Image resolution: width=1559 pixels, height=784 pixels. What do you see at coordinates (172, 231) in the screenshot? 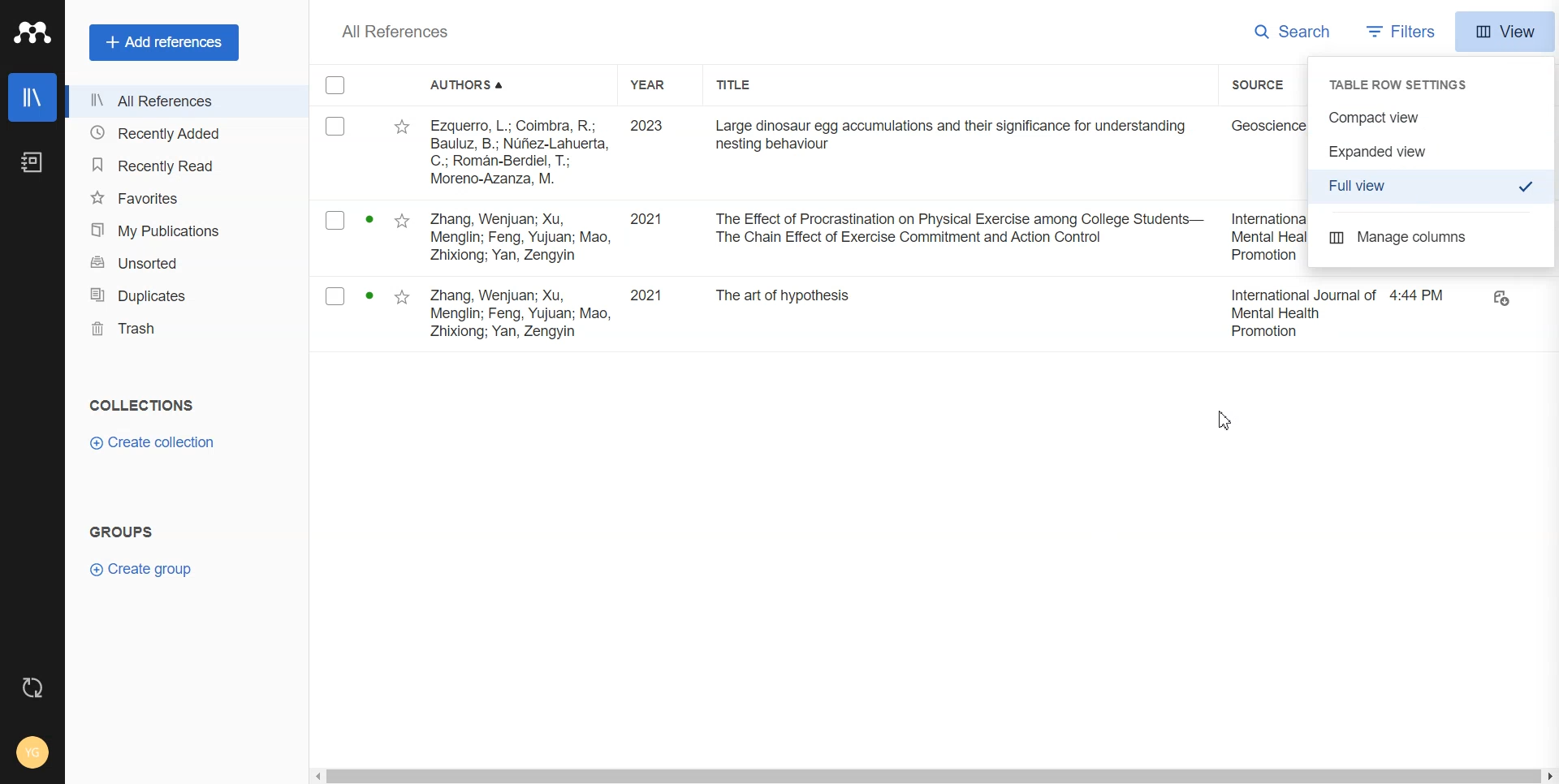
I see `My Publication` at bounding box center [172, 231].